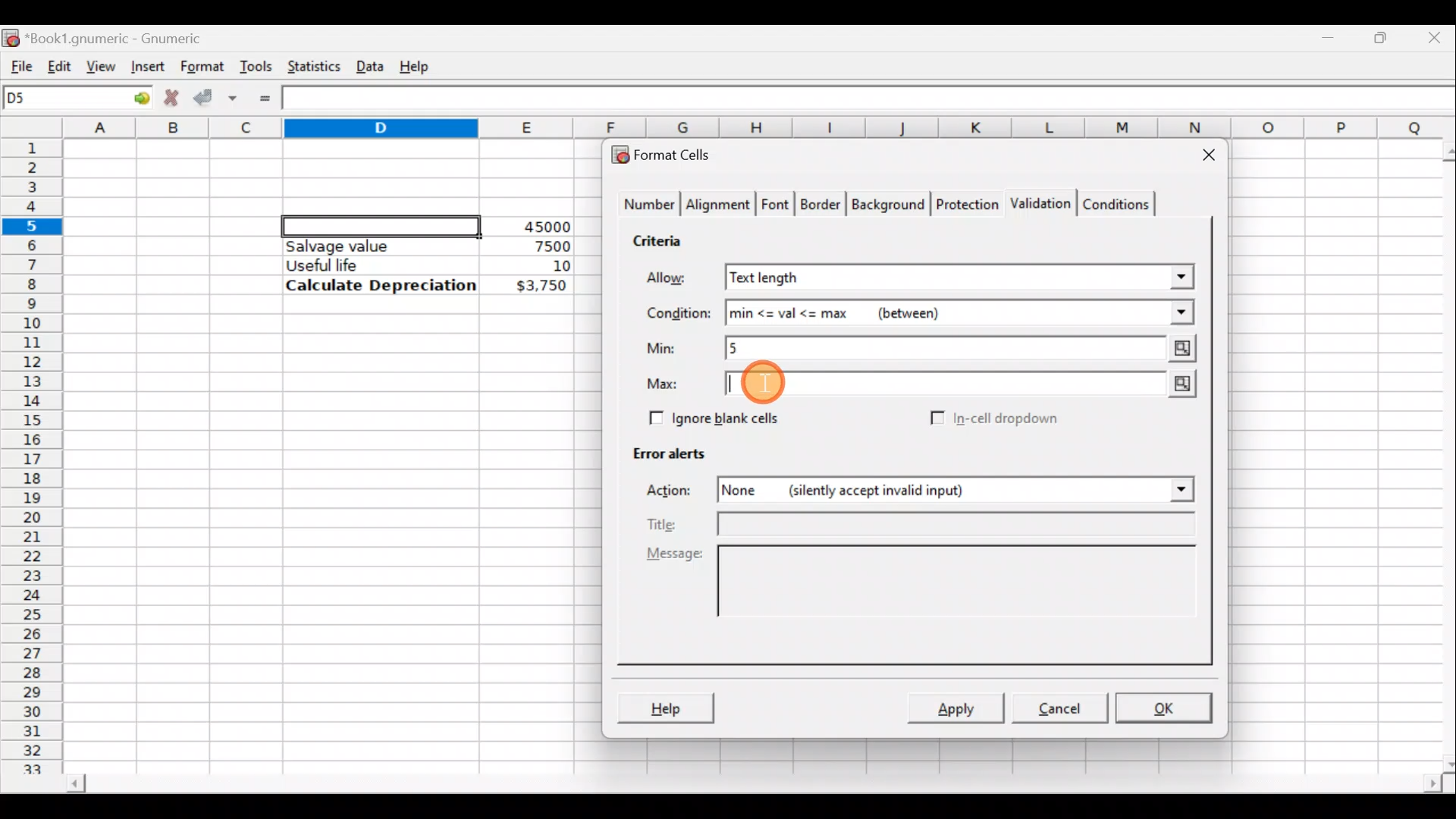 The width and height of the screenshot is (1456, 819). What do you see at coordinates (664, 348) in the screenshot?
I see `Min` at bounding box center [664, 348].